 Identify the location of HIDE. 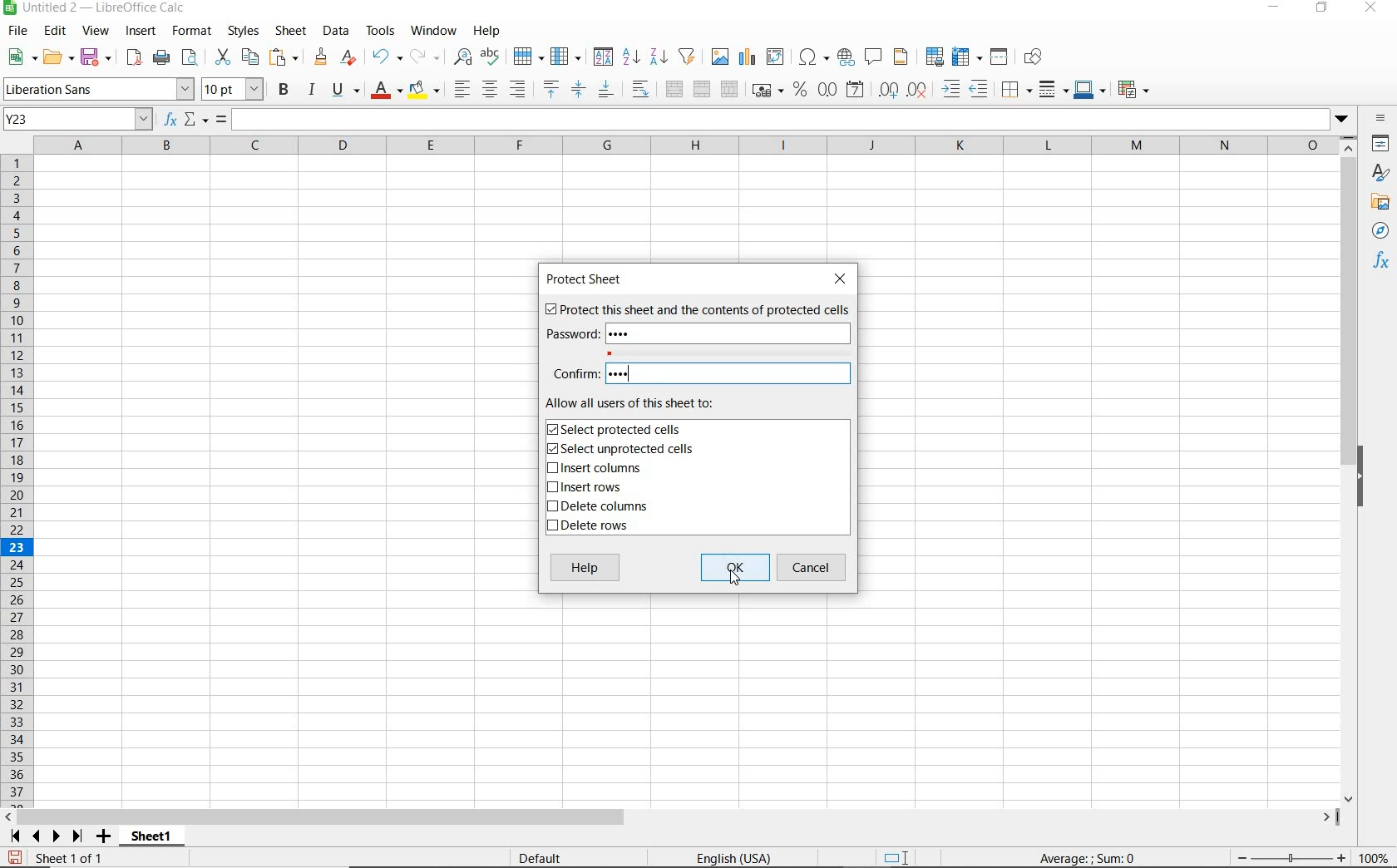
(1370, 474).